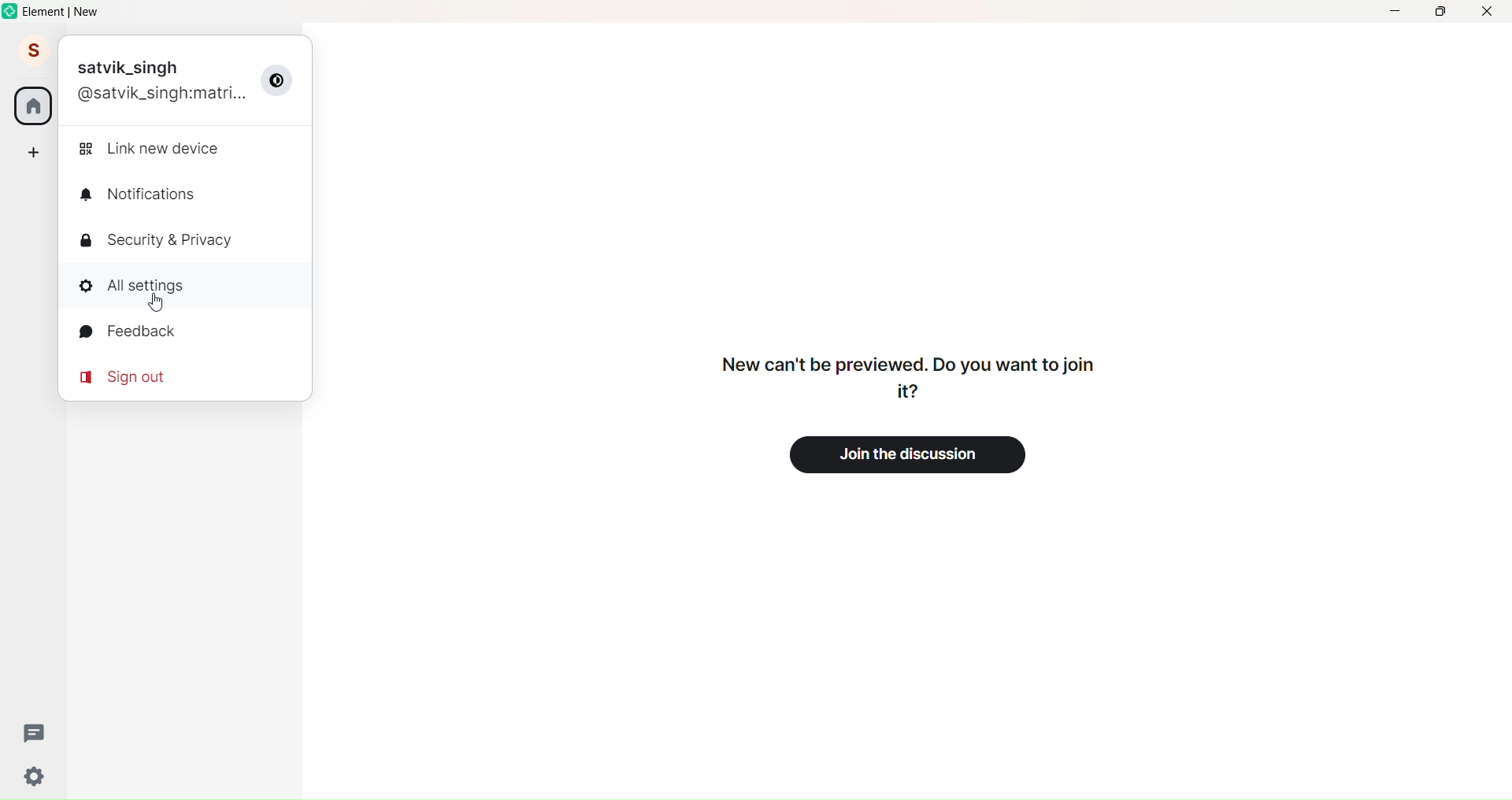 This screenshot has height=800, width=1512. Describe the element at coordinates (164, 94) in the screenshot. I see `@username` at that location.